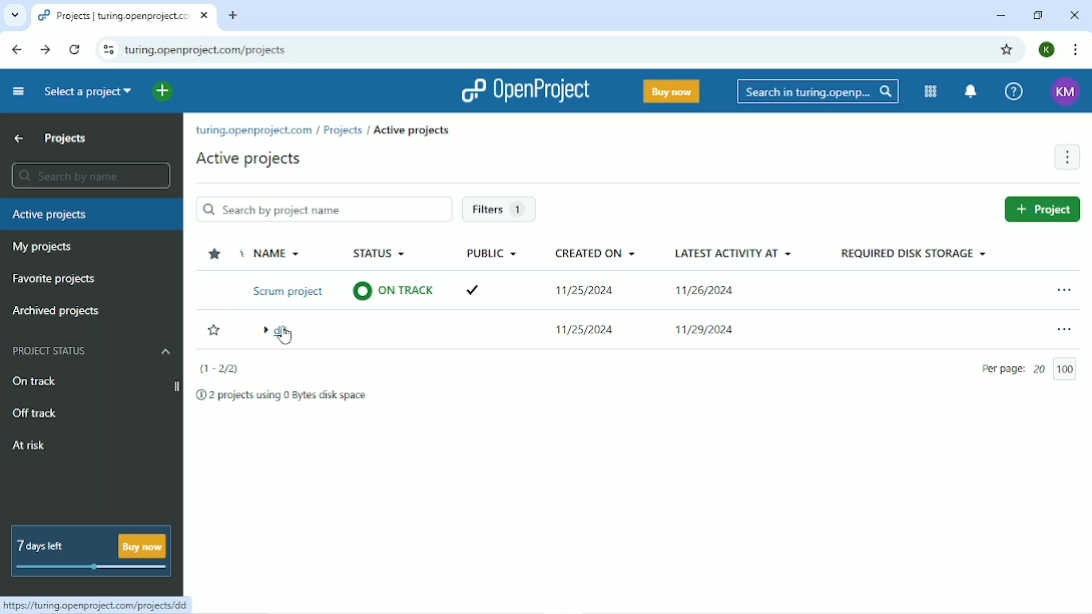 The image size is (1092, 614). Describe the element at coordinates (590, 254) in the screenshot. I see `Created on` at that location.